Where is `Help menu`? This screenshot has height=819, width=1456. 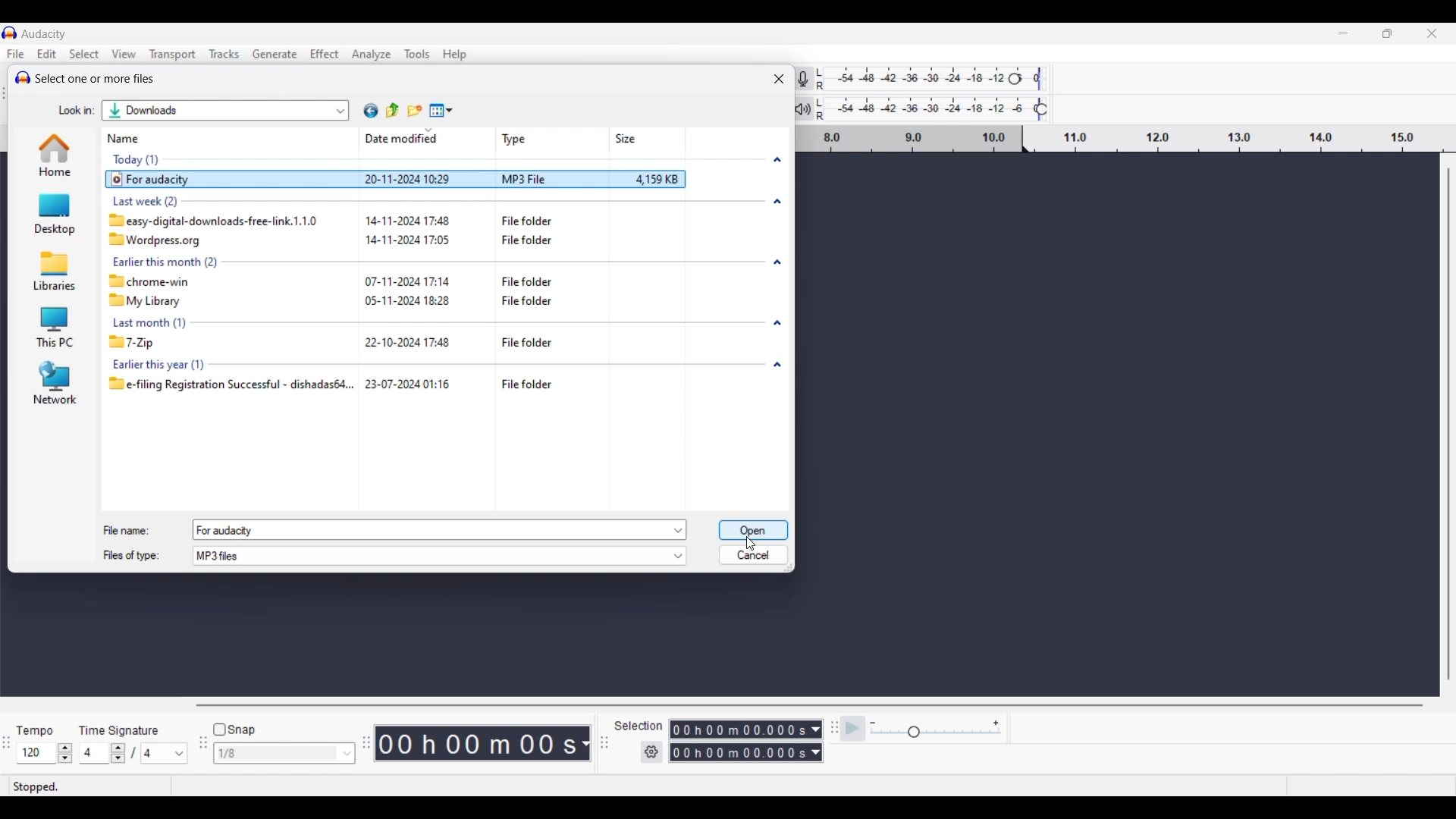
Help menu is located at coordinates (455, 55).